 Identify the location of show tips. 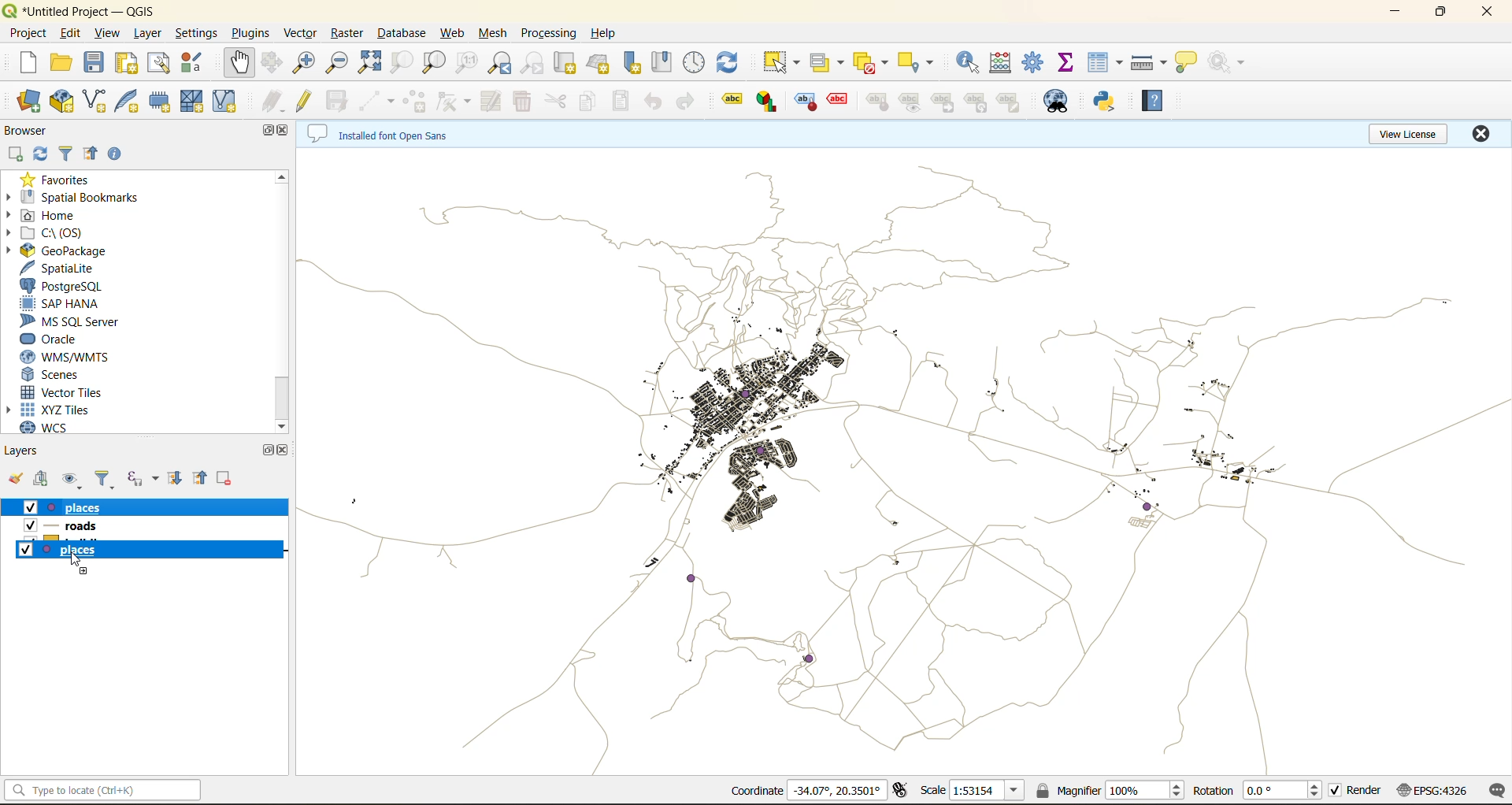
(1189, 65).